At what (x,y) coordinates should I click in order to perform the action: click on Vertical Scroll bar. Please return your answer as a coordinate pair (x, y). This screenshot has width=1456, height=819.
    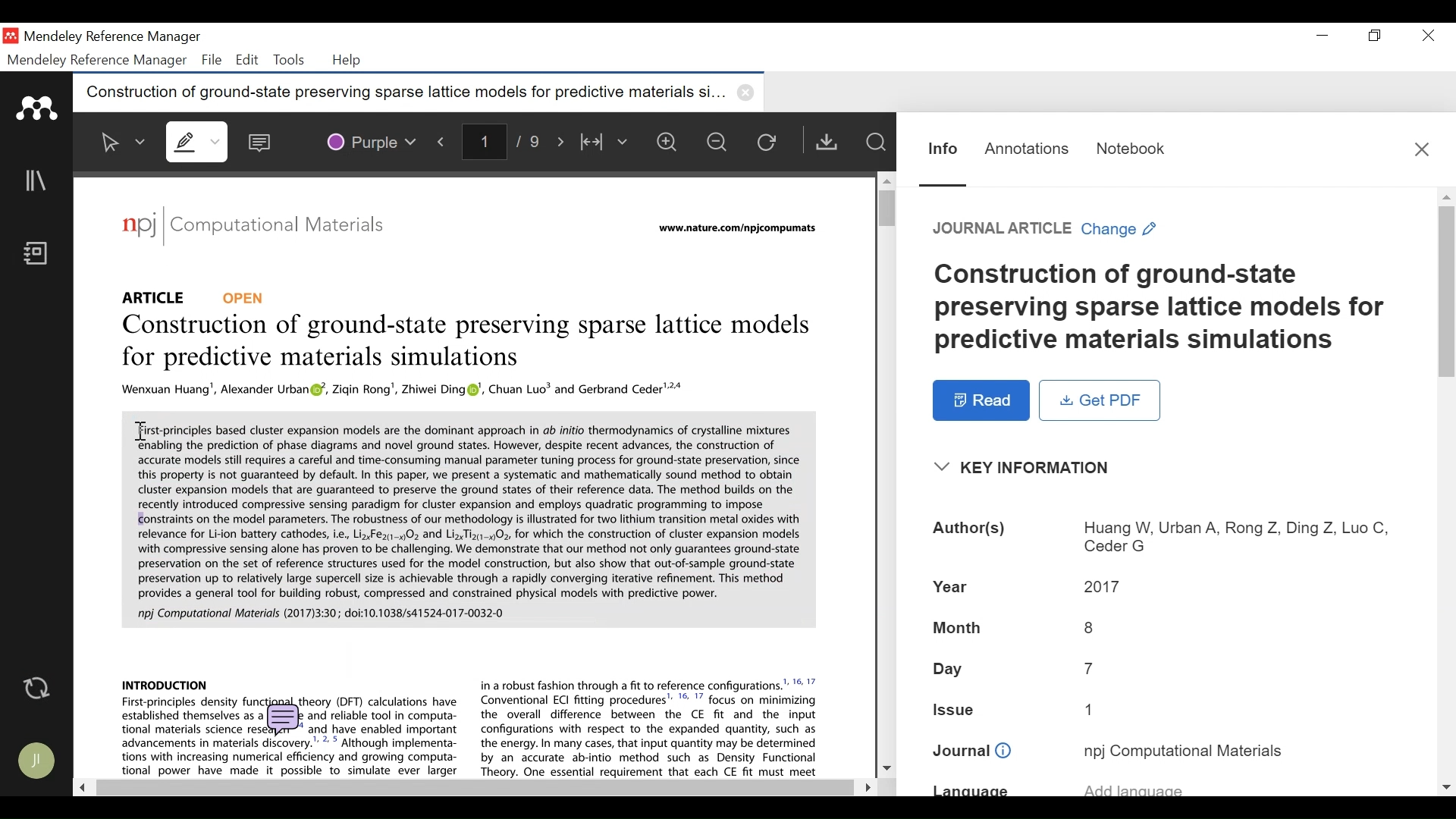
    Looking at the image, I should click on (1447, 290).